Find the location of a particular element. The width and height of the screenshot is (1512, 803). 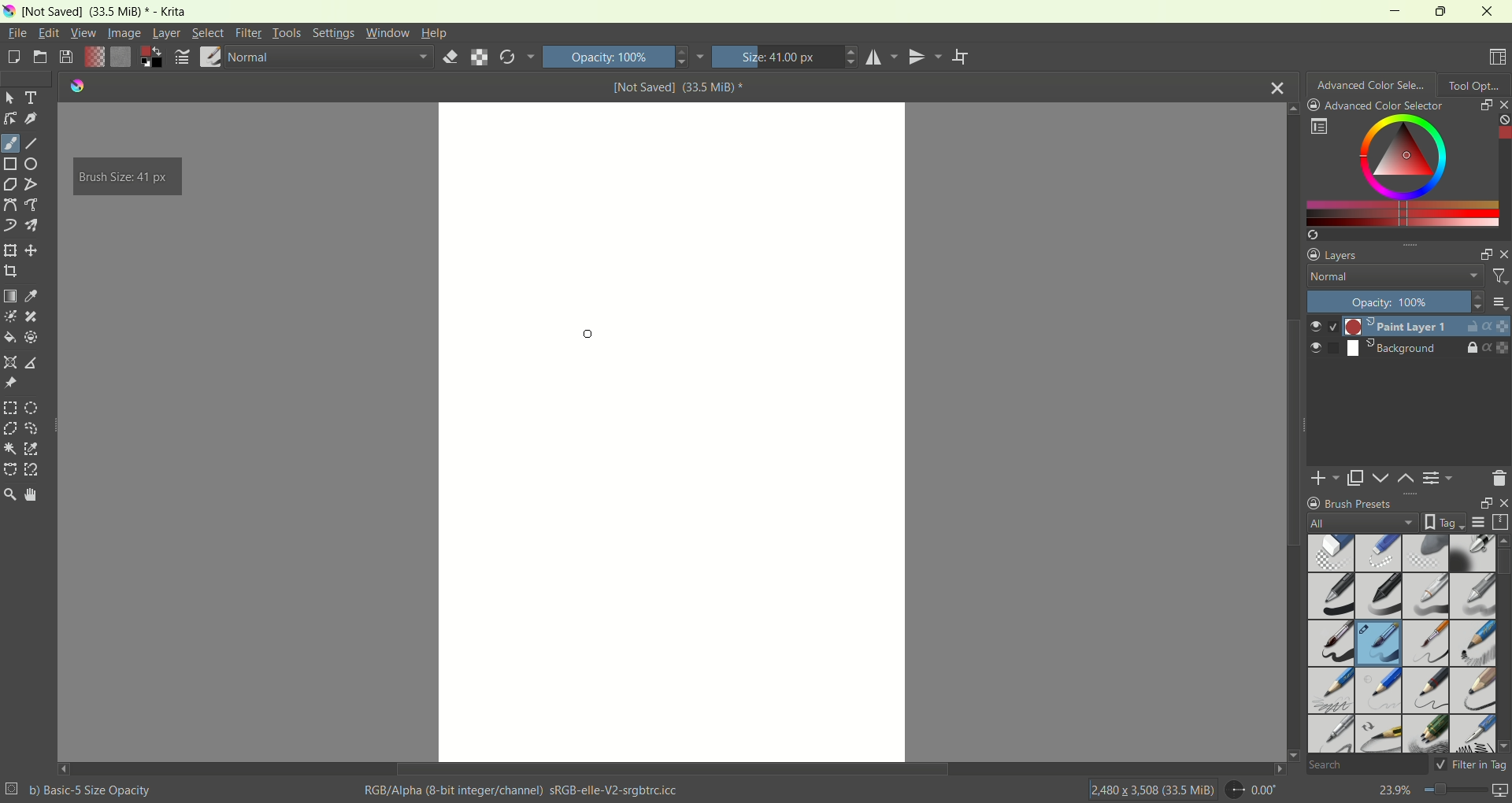

edit brush settings is located at coordinates (183, 57).